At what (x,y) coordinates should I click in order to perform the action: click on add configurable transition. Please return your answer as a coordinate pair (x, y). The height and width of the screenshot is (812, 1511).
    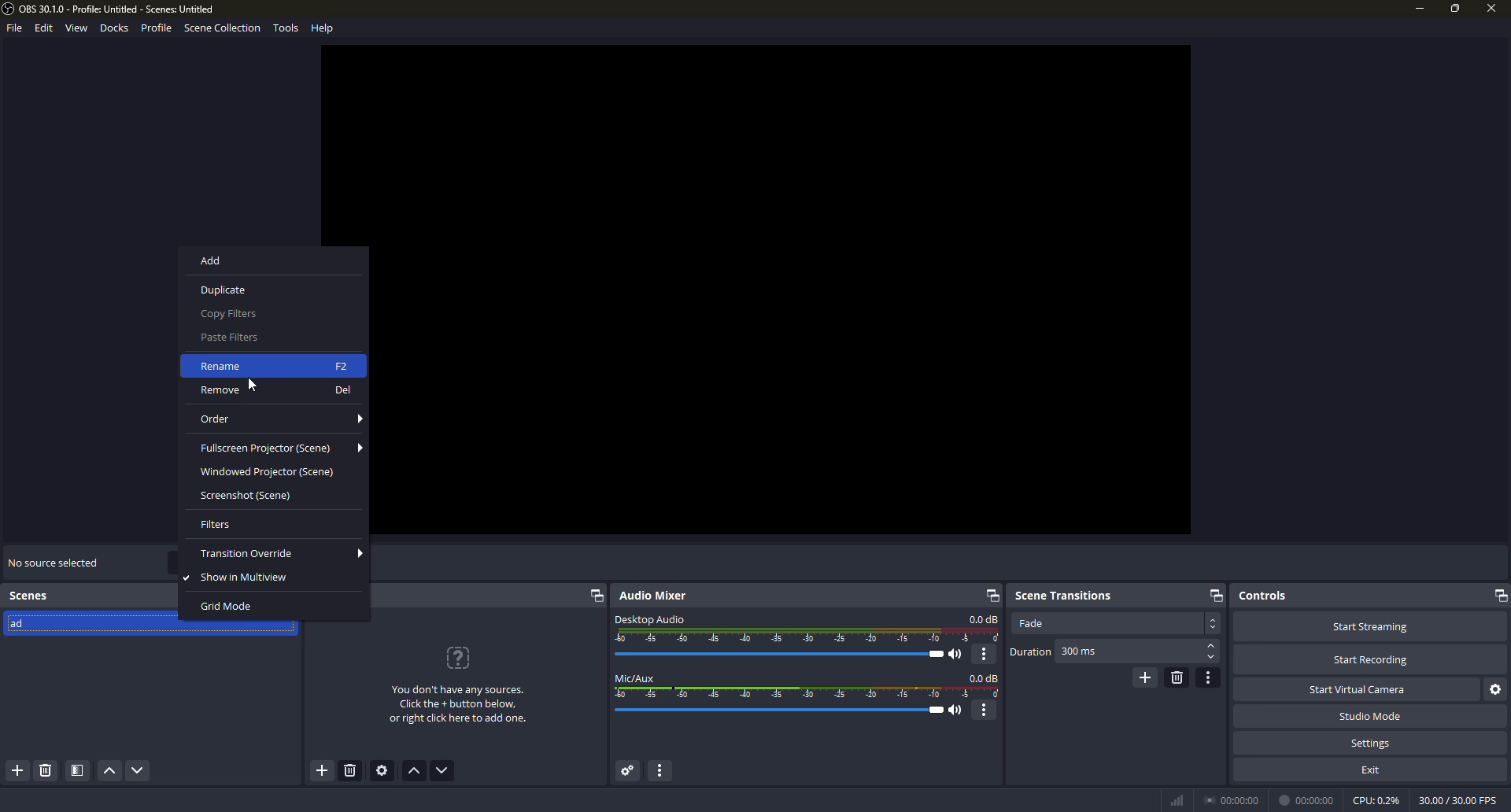
    Looking at the image, I should click on (1143, 677).